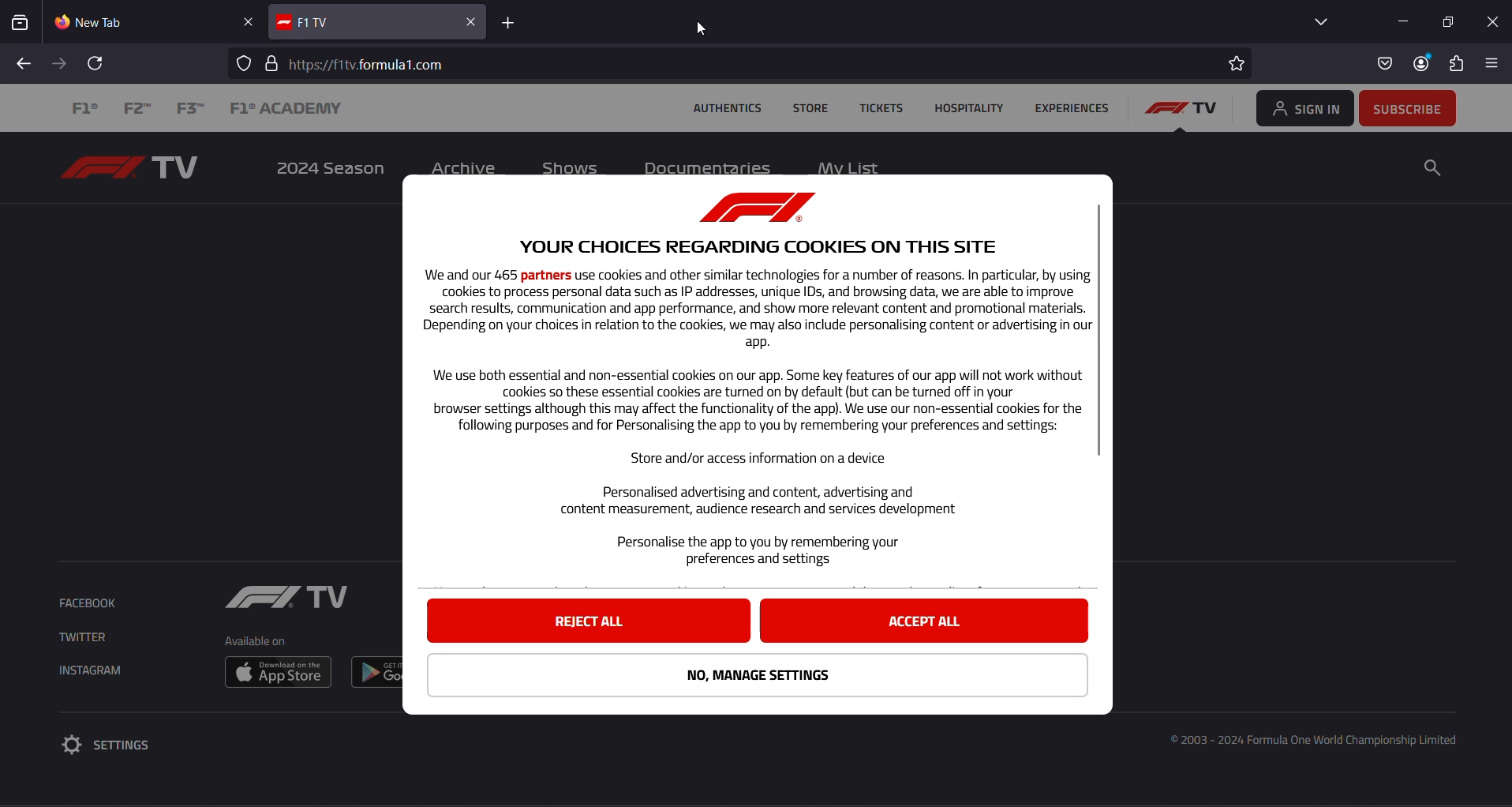 The height and width of the screenshot is (807, 1512). Describe the element at coordinates (285, 110) in the screenshot. I see `f1 academy` at that location.